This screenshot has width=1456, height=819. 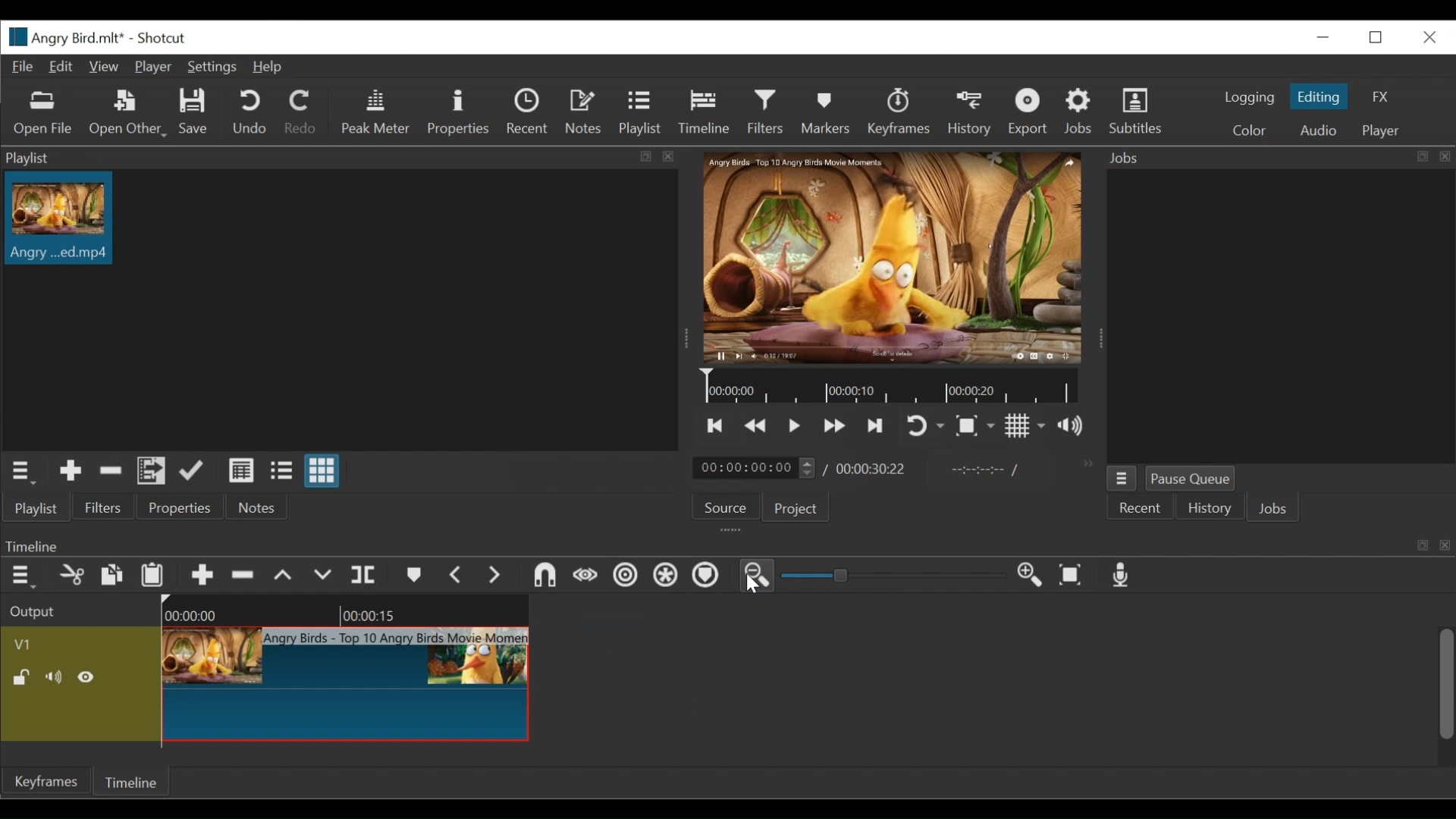 I want to click on Zoom timeline in, so click(x=1026, y=573).